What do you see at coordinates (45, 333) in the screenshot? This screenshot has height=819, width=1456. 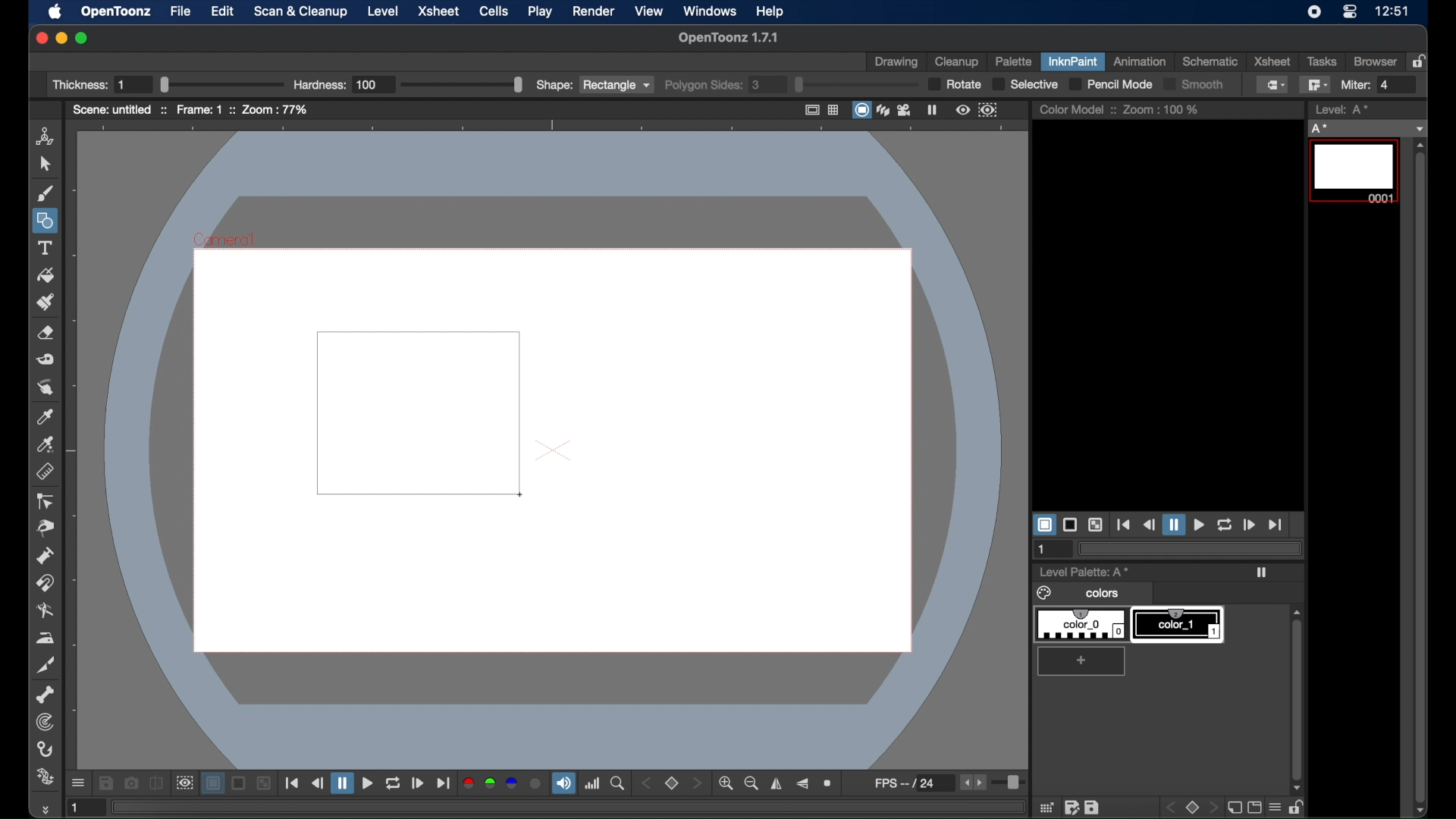 I see `eraser tool` at bounding box center [45, 333].